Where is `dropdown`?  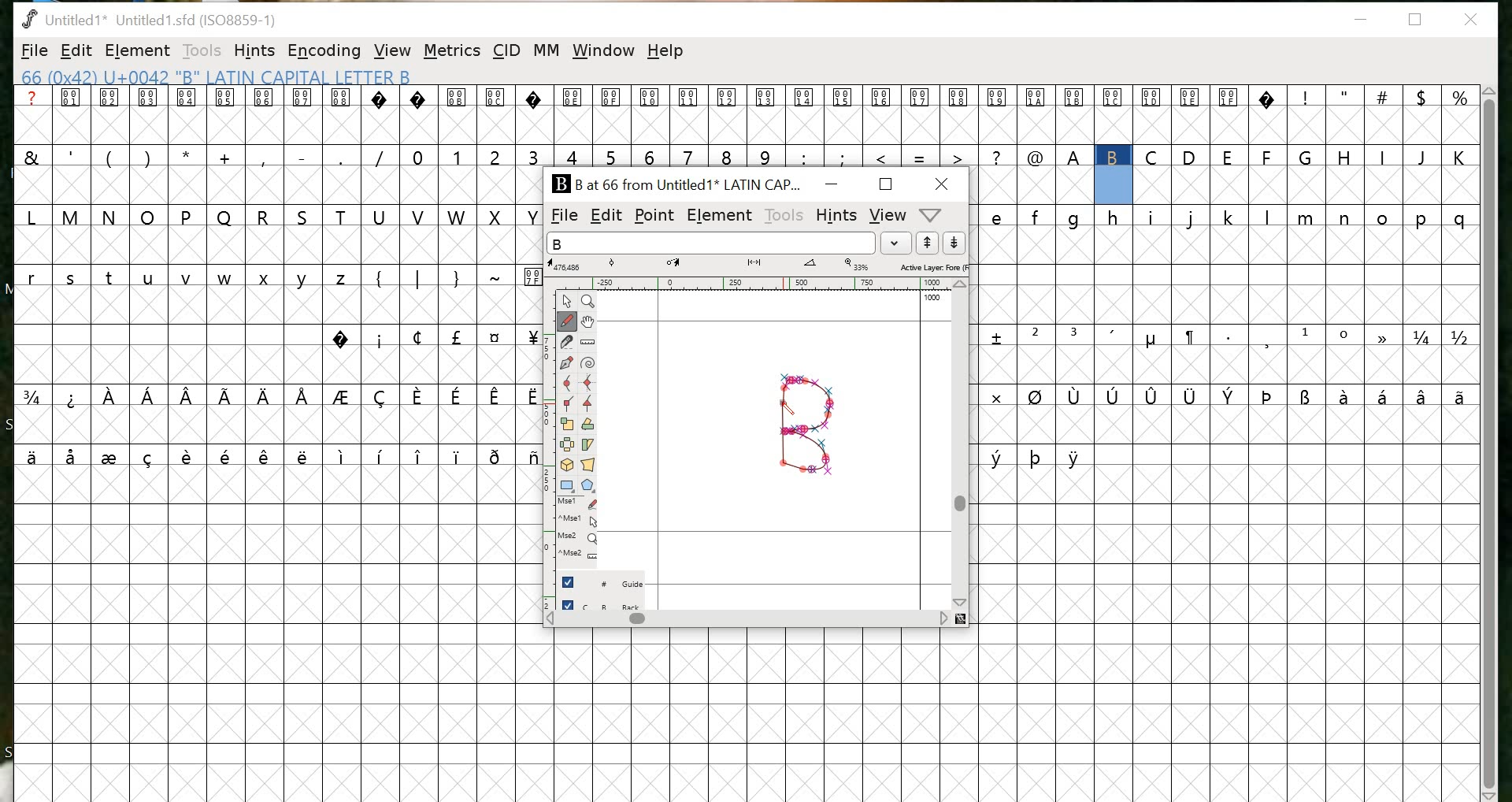 dropdown is located at coordinates (896, 243).